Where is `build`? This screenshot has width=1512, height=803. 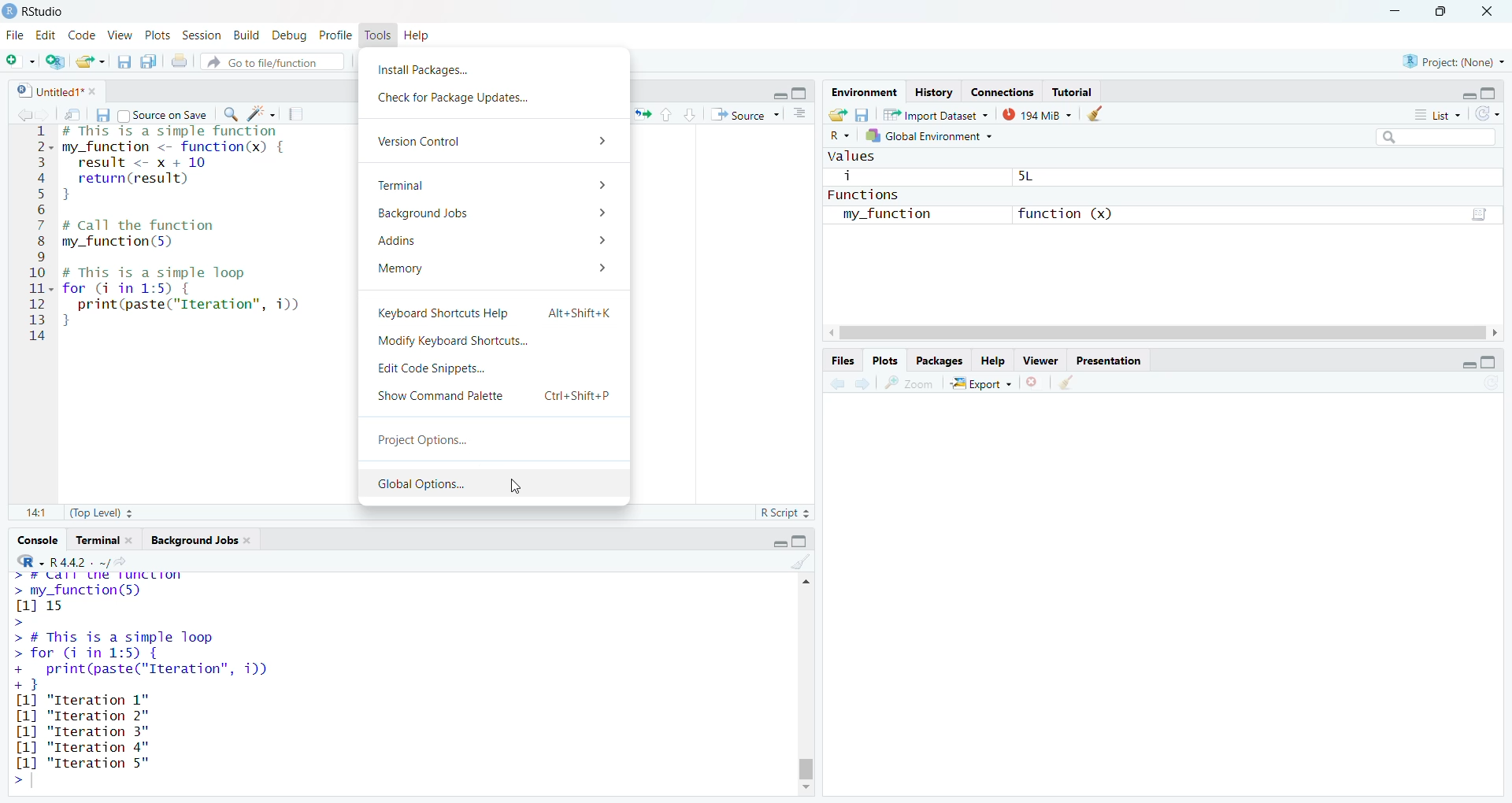
build is located at coordinates (245, 32).